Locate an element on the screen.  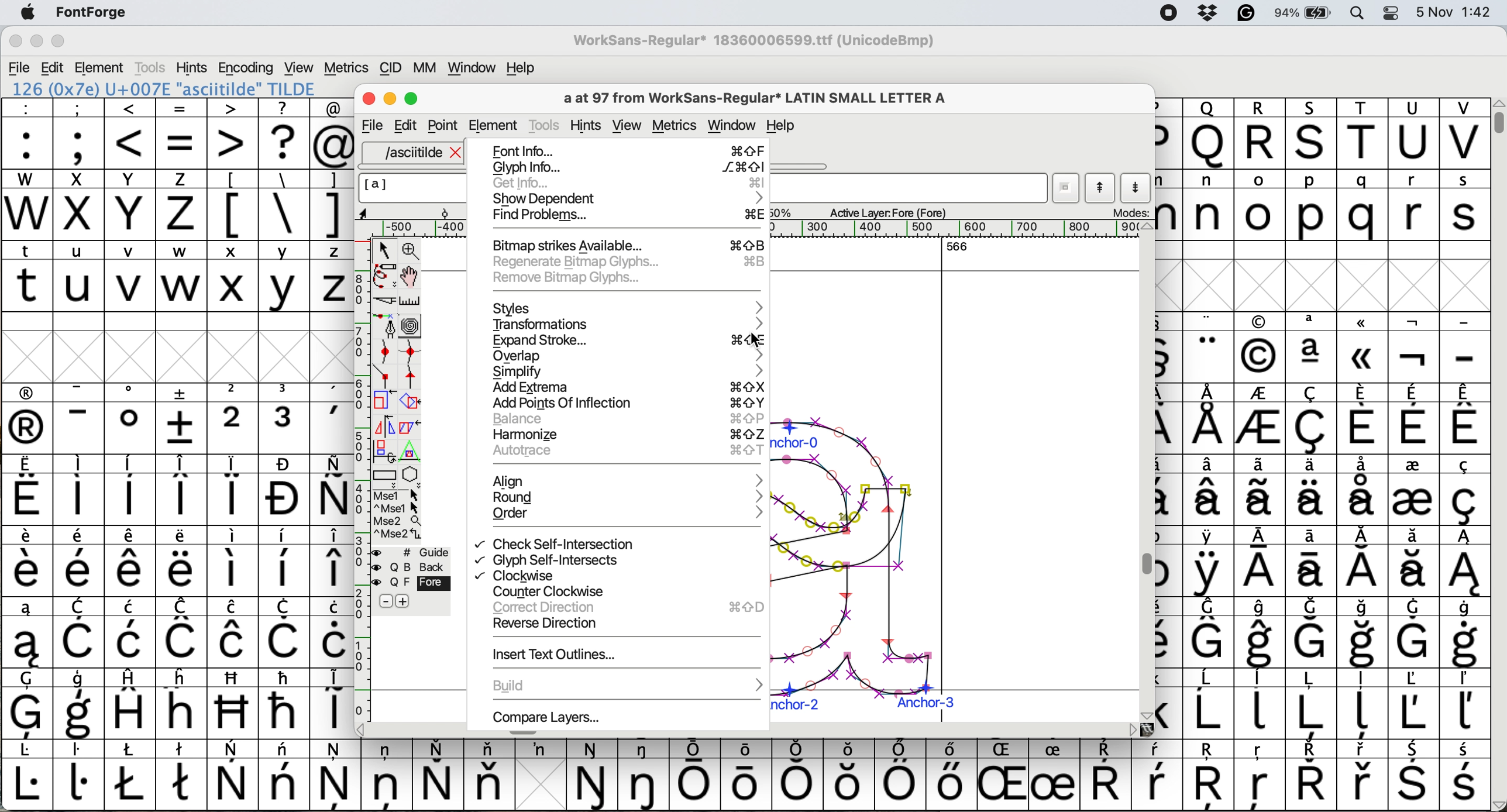
symbol is located at coordinates (646, 775).